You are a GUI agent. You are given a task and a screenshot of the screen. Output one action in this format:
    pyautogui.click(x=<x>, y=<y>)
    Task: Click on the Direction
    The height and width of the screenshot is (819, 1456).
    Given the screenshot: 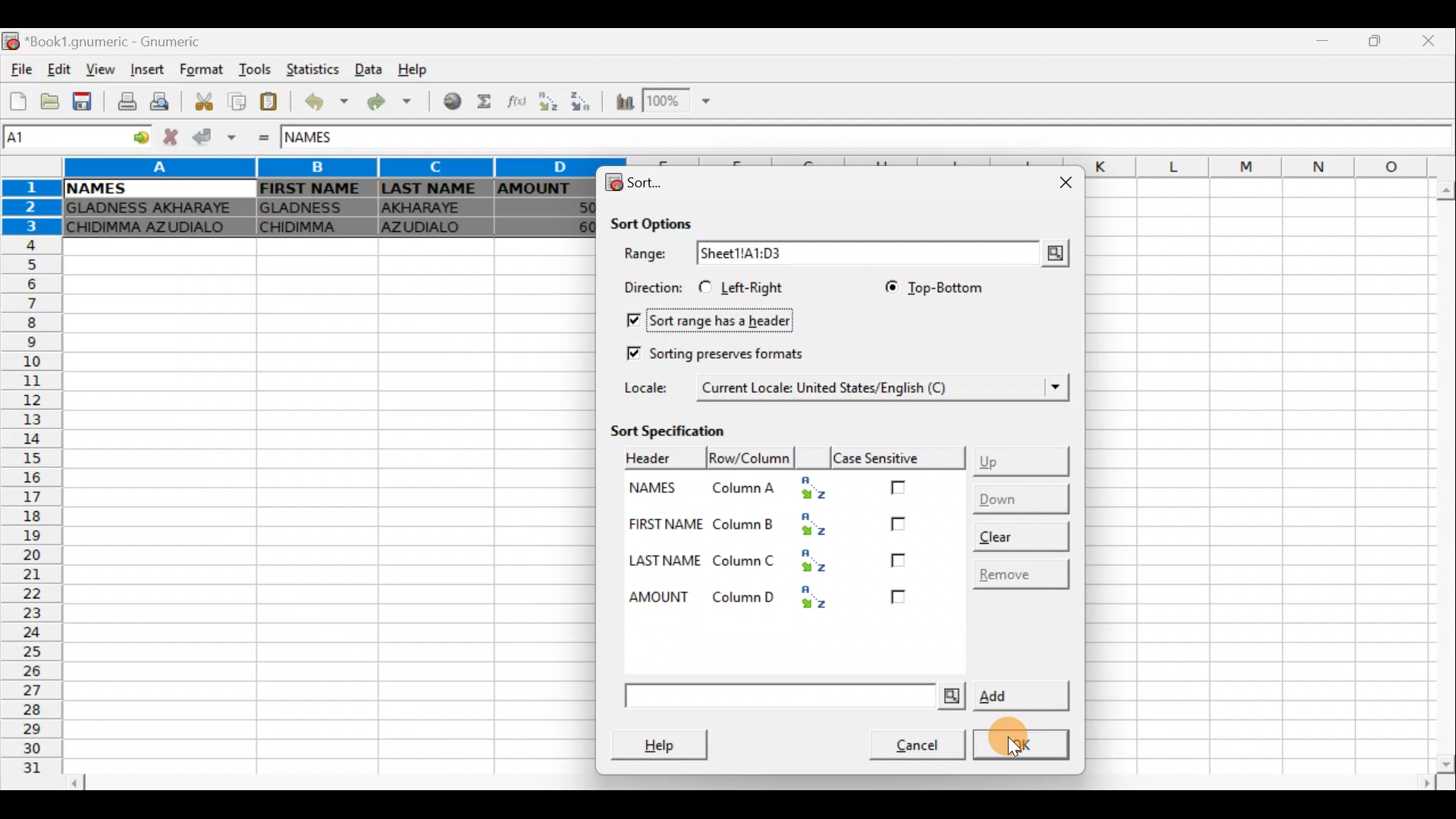 What is the action you would take?
    pyautogui.click(x=648, y=286)
    